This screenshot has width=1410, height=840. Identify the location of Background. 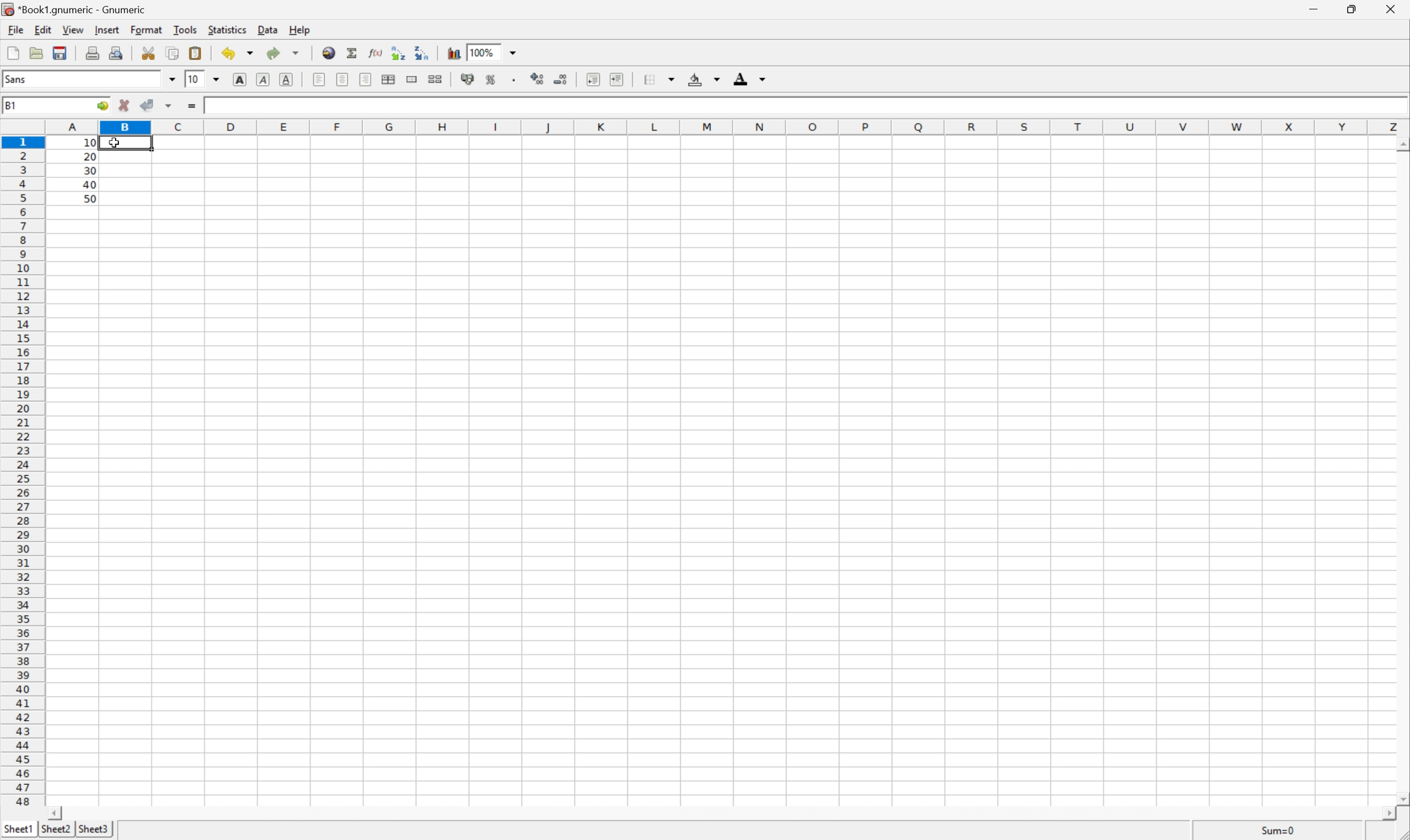
(704, 79).